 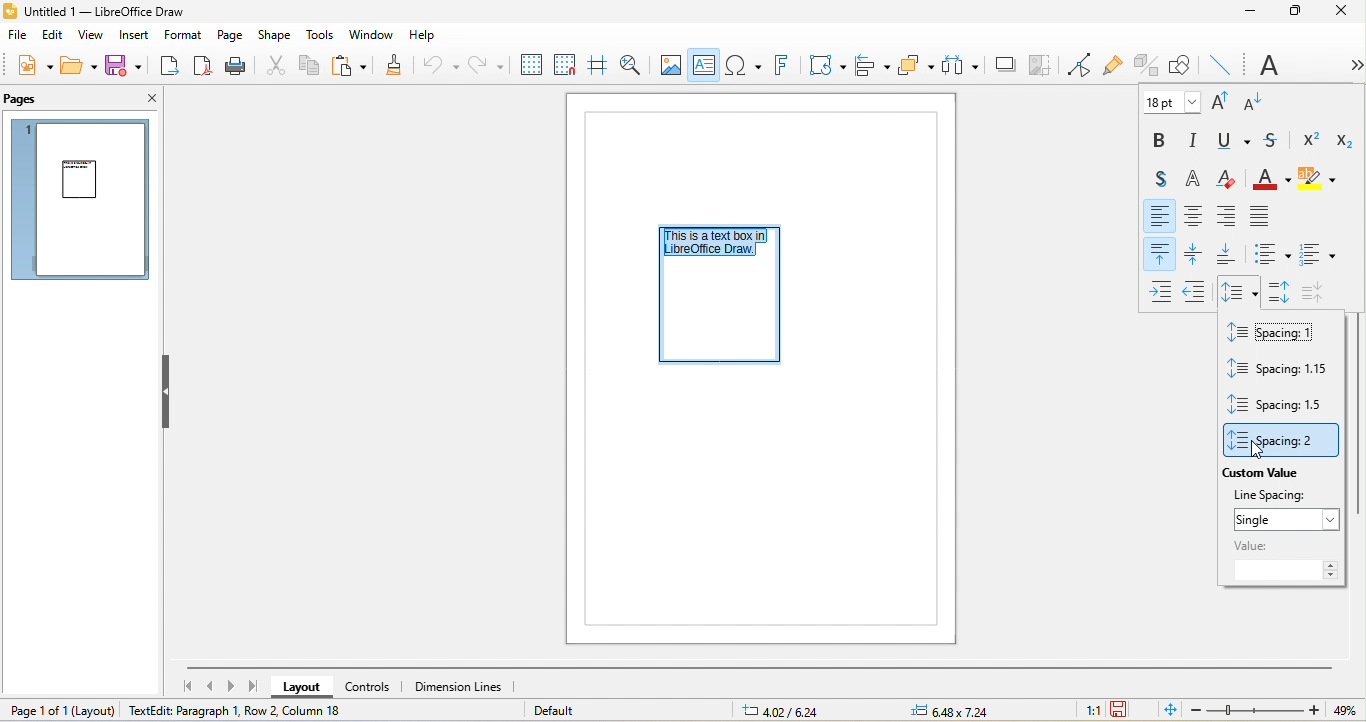 I want to click on help, so click(x=424, y=37).